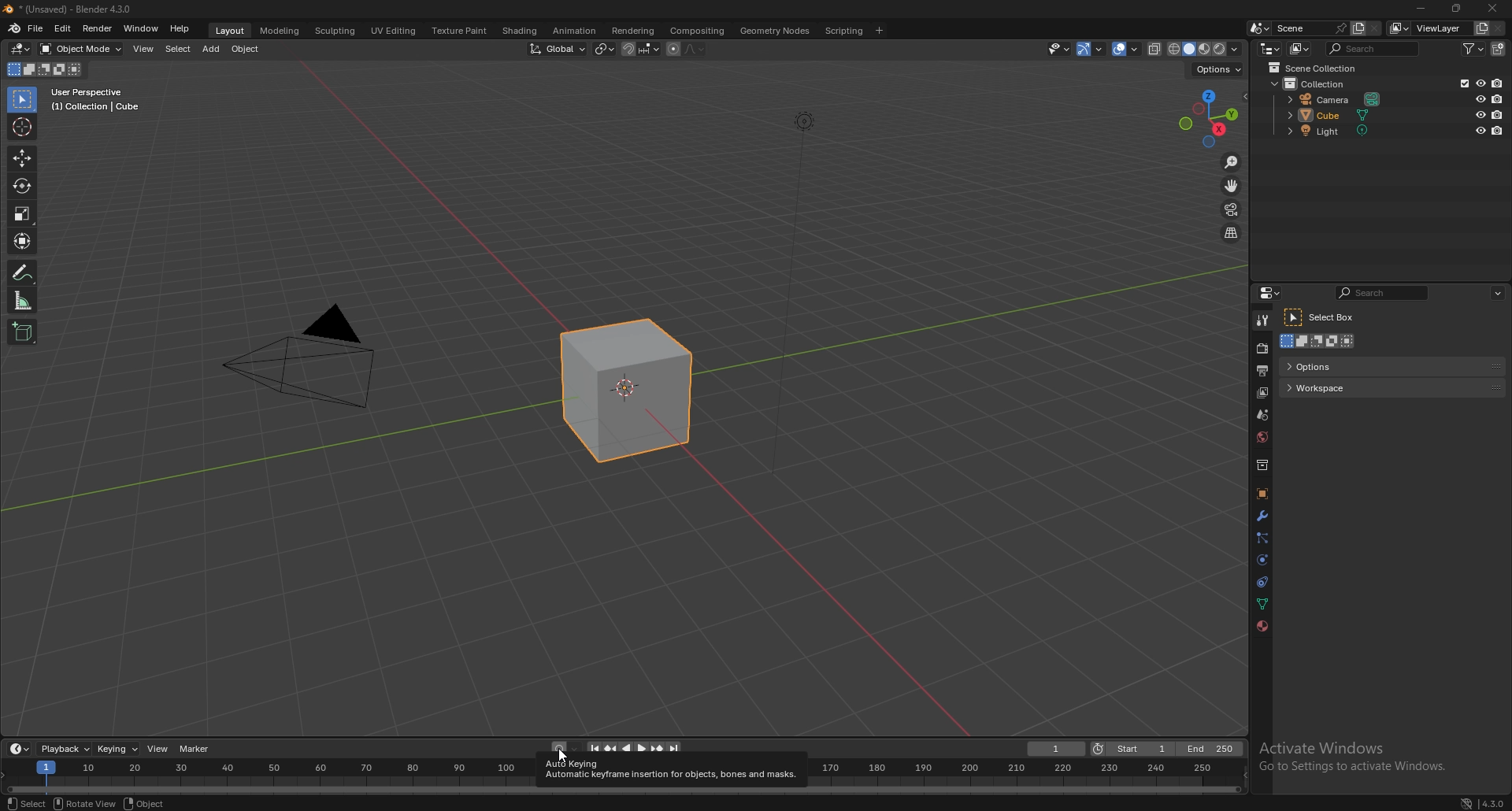 The height and width of the screenshot is (811, 1512). I want to click on object, so click(145, 803).